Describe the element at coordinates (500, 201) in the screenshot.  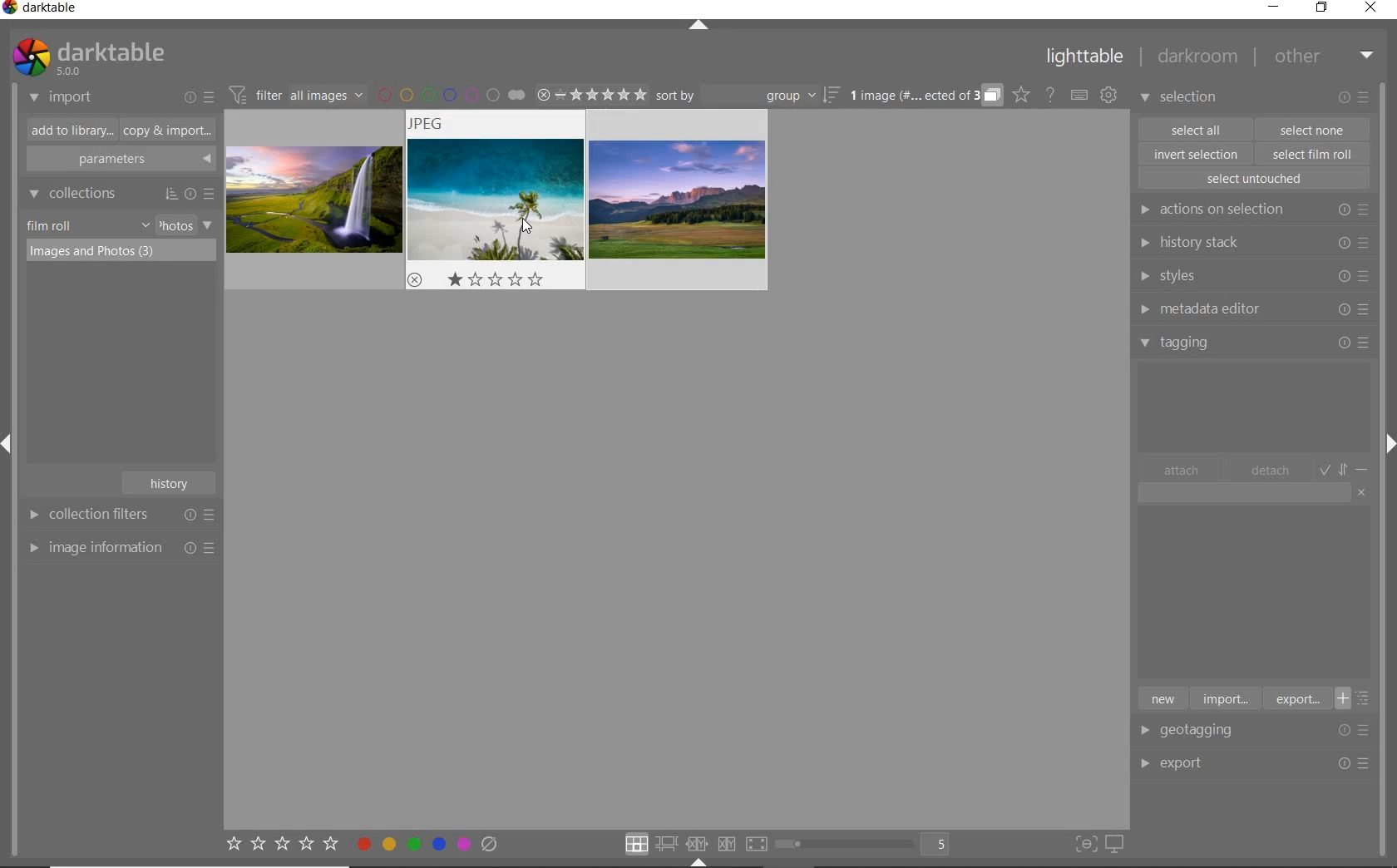
I see `images` at that location.